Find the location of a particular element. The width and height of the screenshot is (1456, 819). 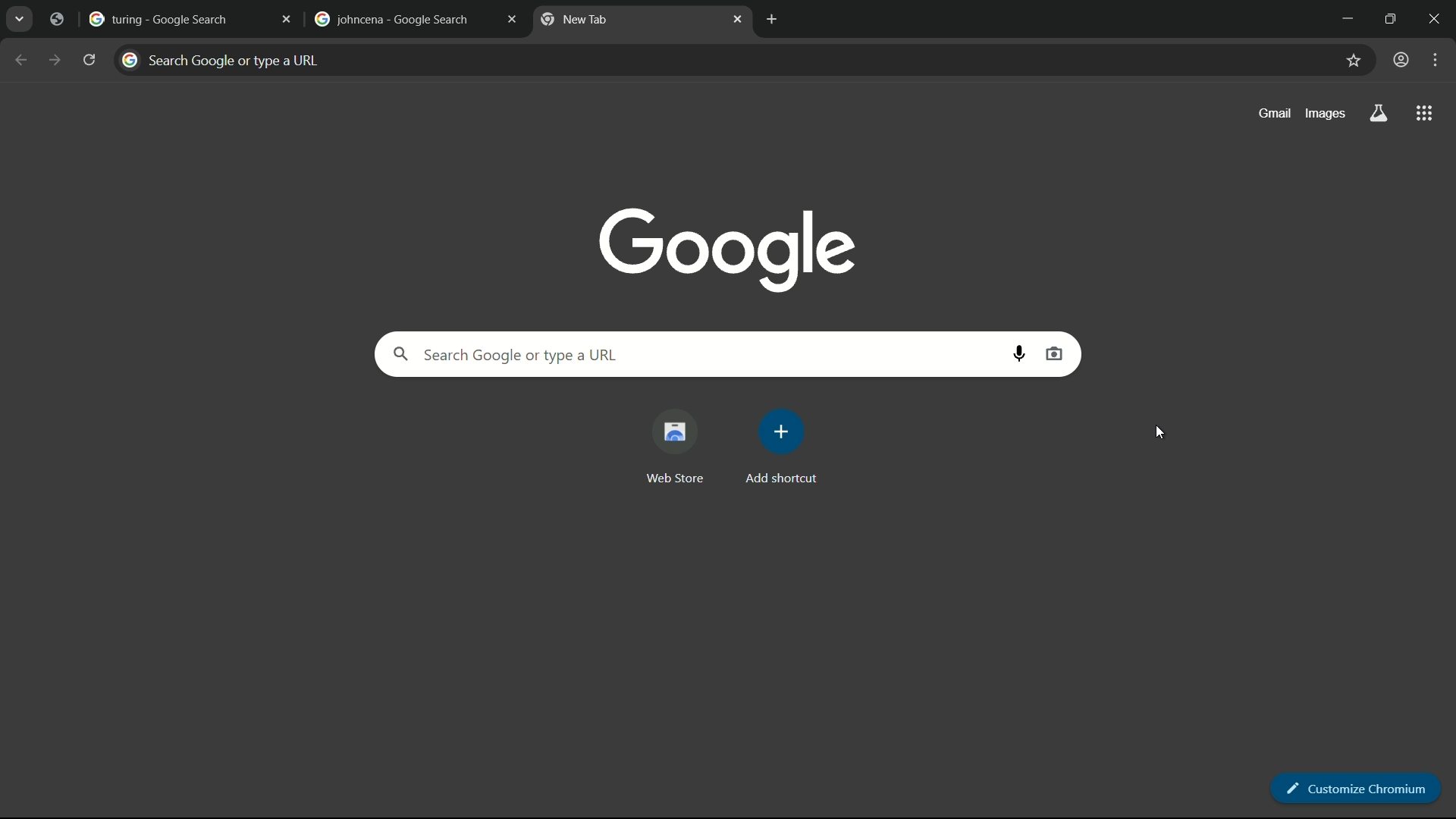

web store shortcut is located at coordinates (673, 448).